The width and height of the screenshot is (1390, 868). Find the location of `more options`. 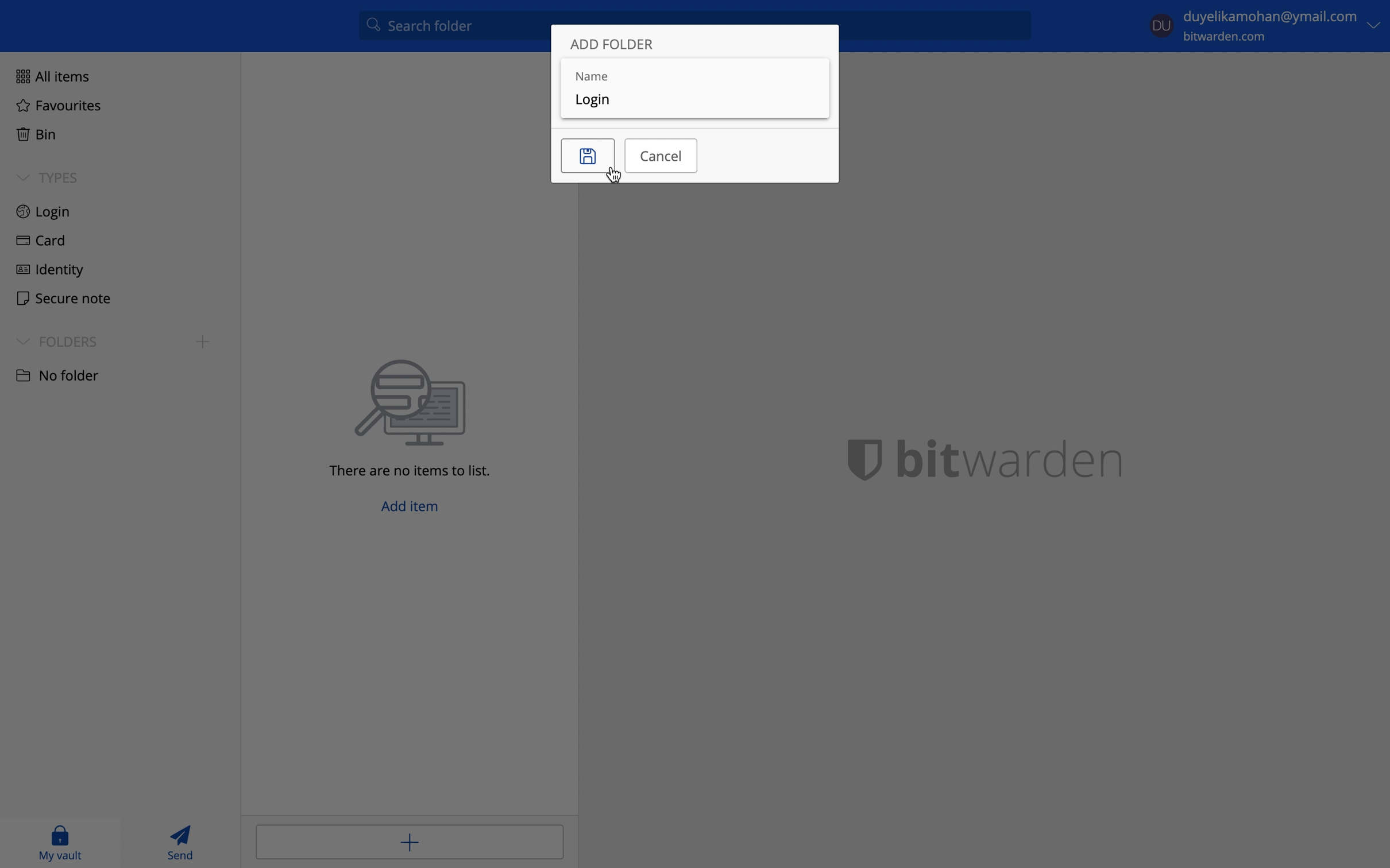

more options is located at coordinates (1377, 25).